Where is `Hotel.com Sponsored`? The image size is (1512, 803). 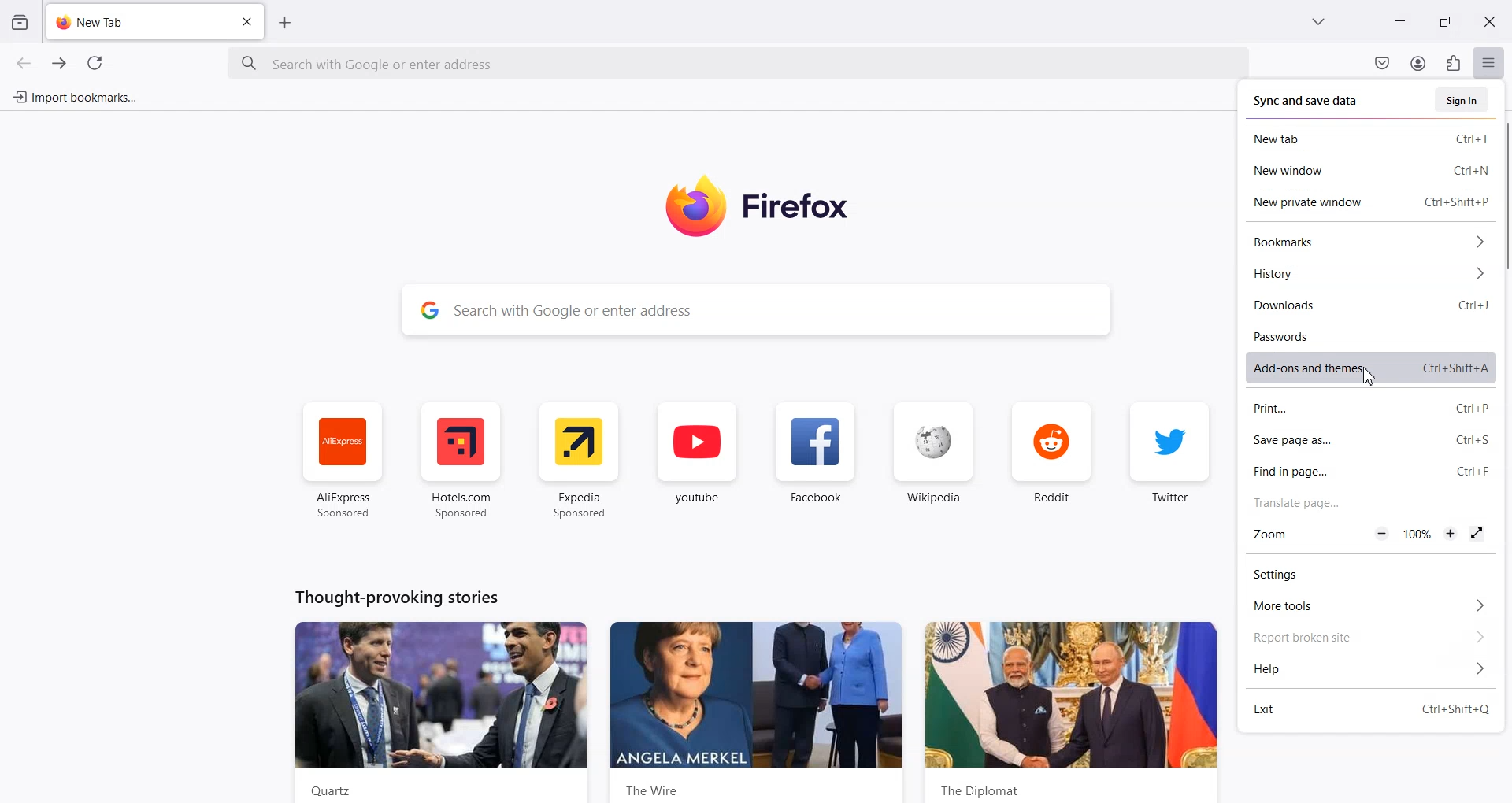
Hotel.com Sponsored is located at coordinates (464, 458).